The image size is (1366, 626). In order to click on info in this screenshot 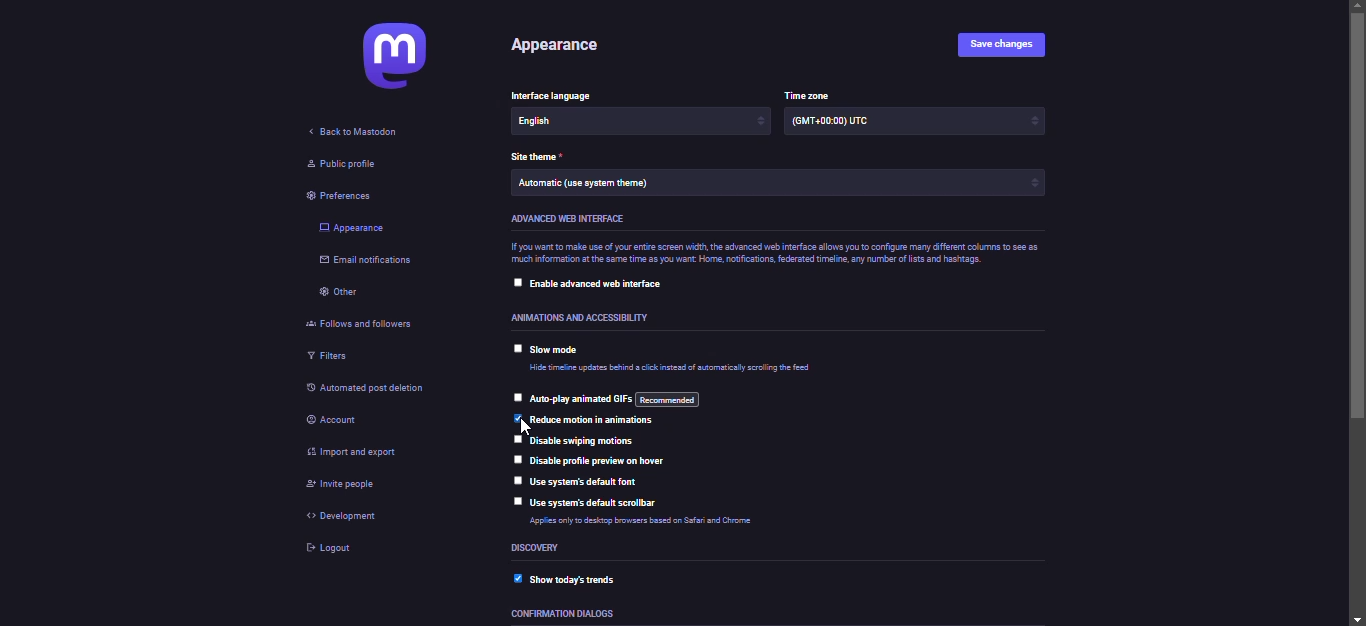, I will do `click(668, 521)`.